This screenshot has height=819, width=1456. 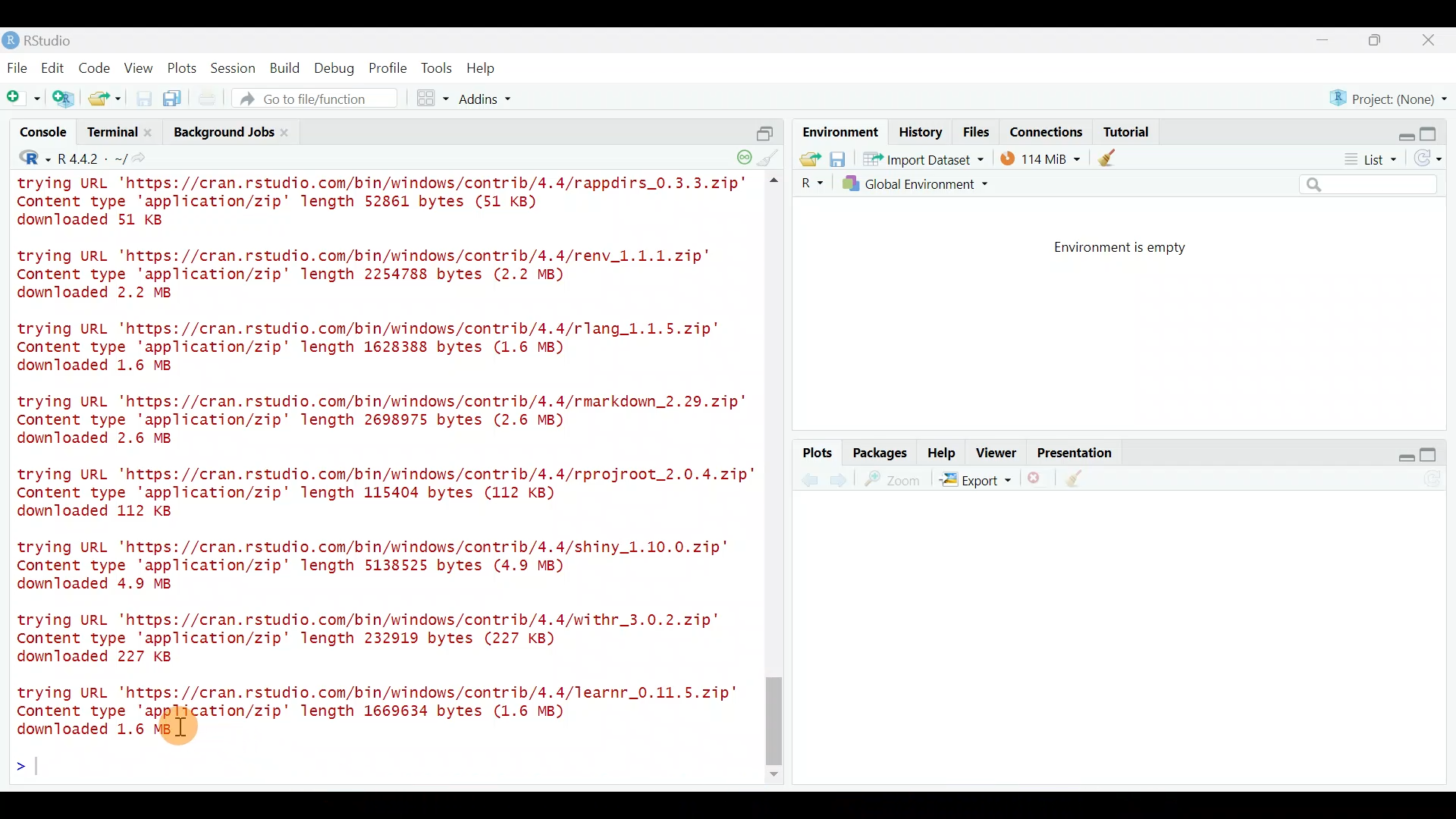 I want to click on Help, so click(x=943, y=451).